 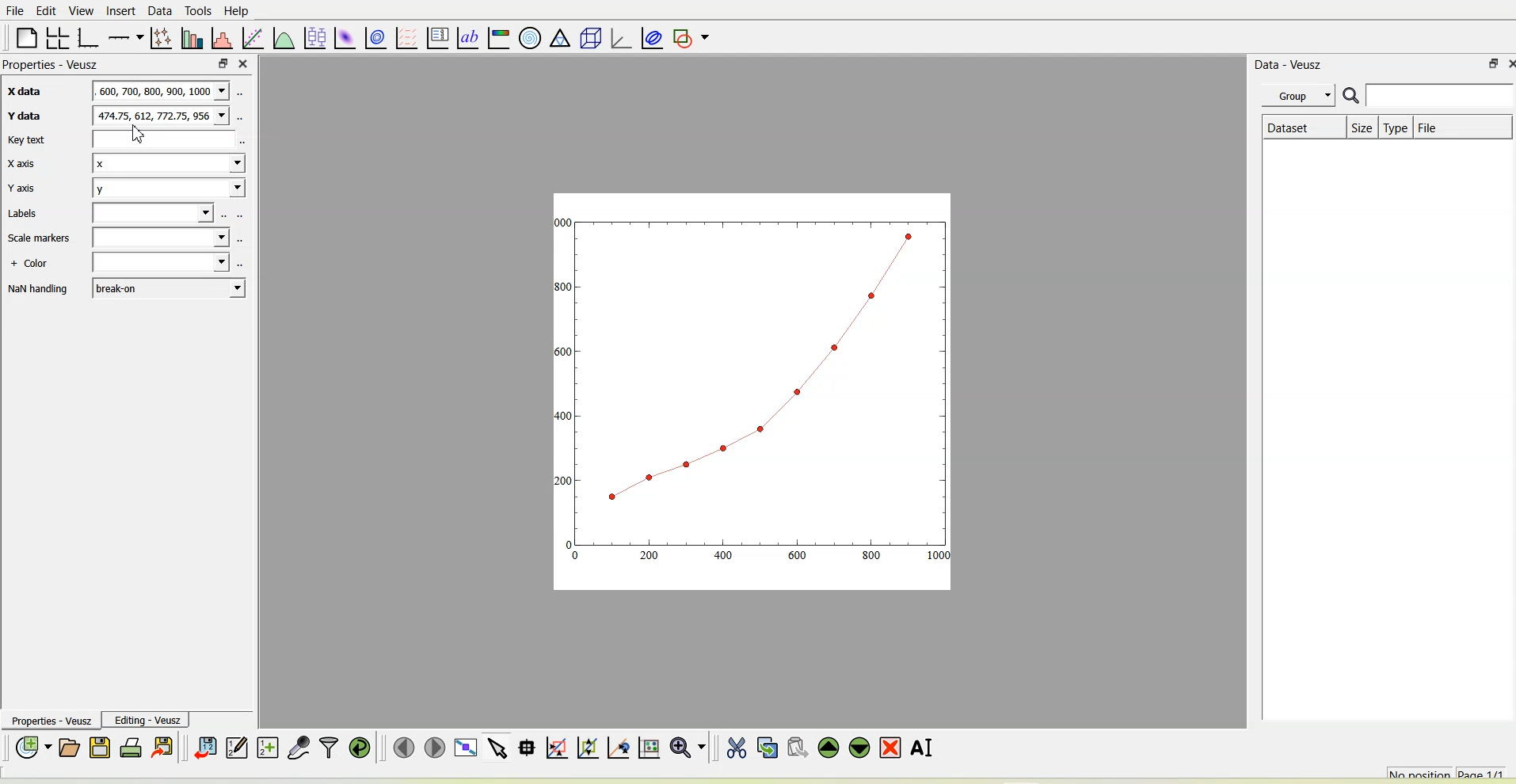 What do you see at coordinates (406, 37) in the screenshot?
I see `plot a vector field` at bounding box center [406, 37].